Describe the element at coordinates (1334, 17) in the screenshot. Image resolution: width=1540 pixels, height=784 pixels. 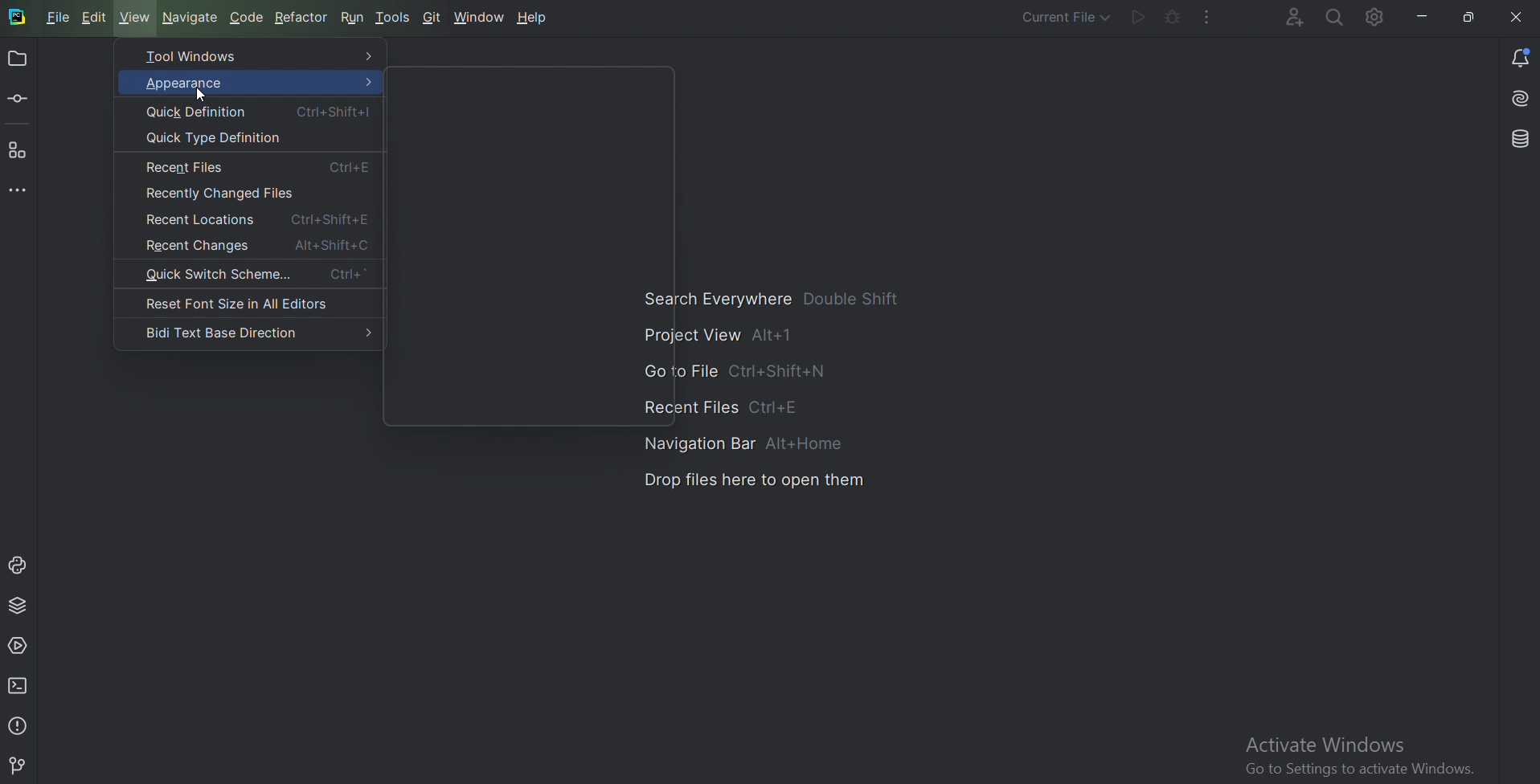
I see `Search Everywhere` at that location.